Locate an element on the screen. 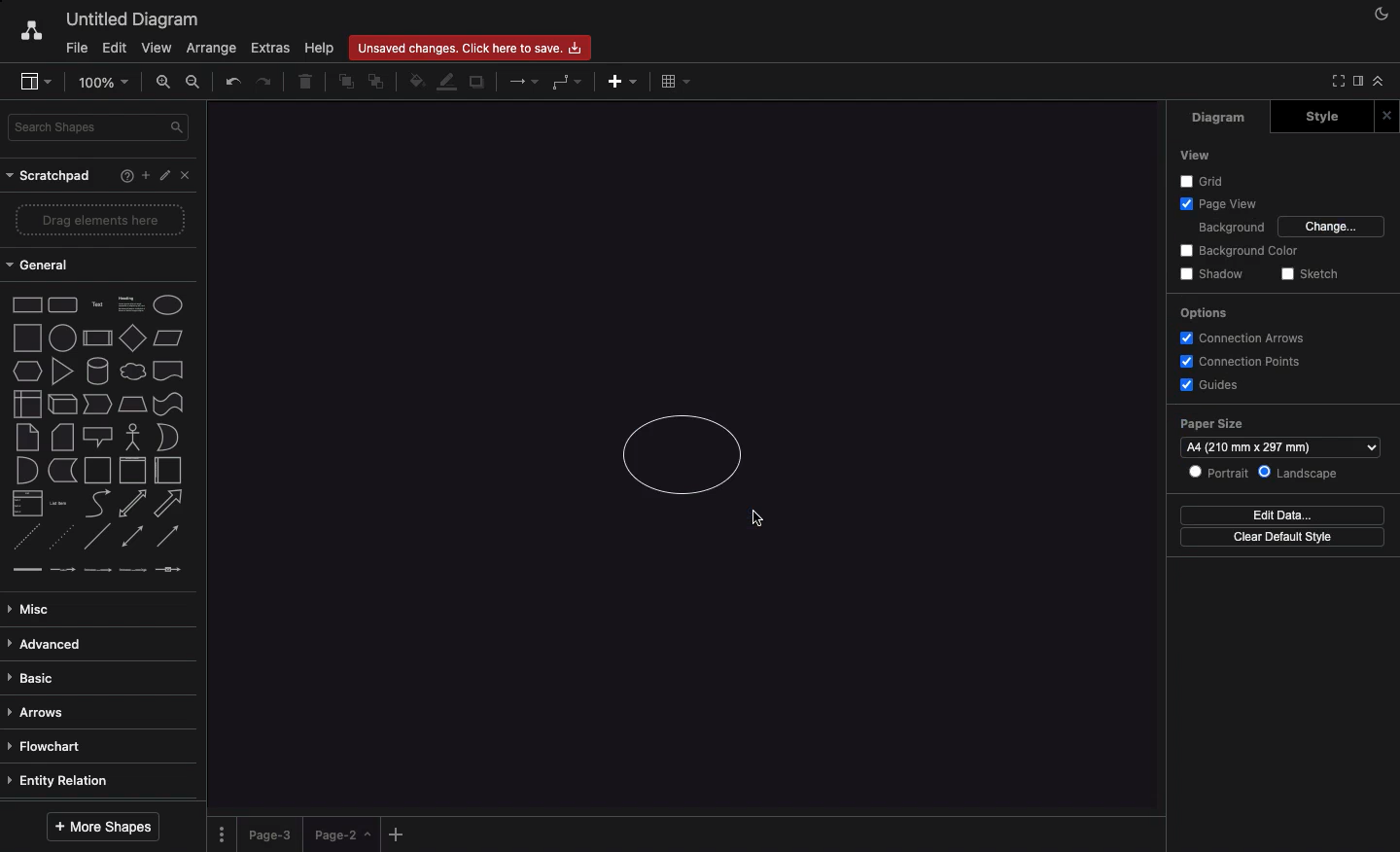 Image resolution: width=1400 pixels, height=852 pixels. Options is located at coordinates (224, 834).